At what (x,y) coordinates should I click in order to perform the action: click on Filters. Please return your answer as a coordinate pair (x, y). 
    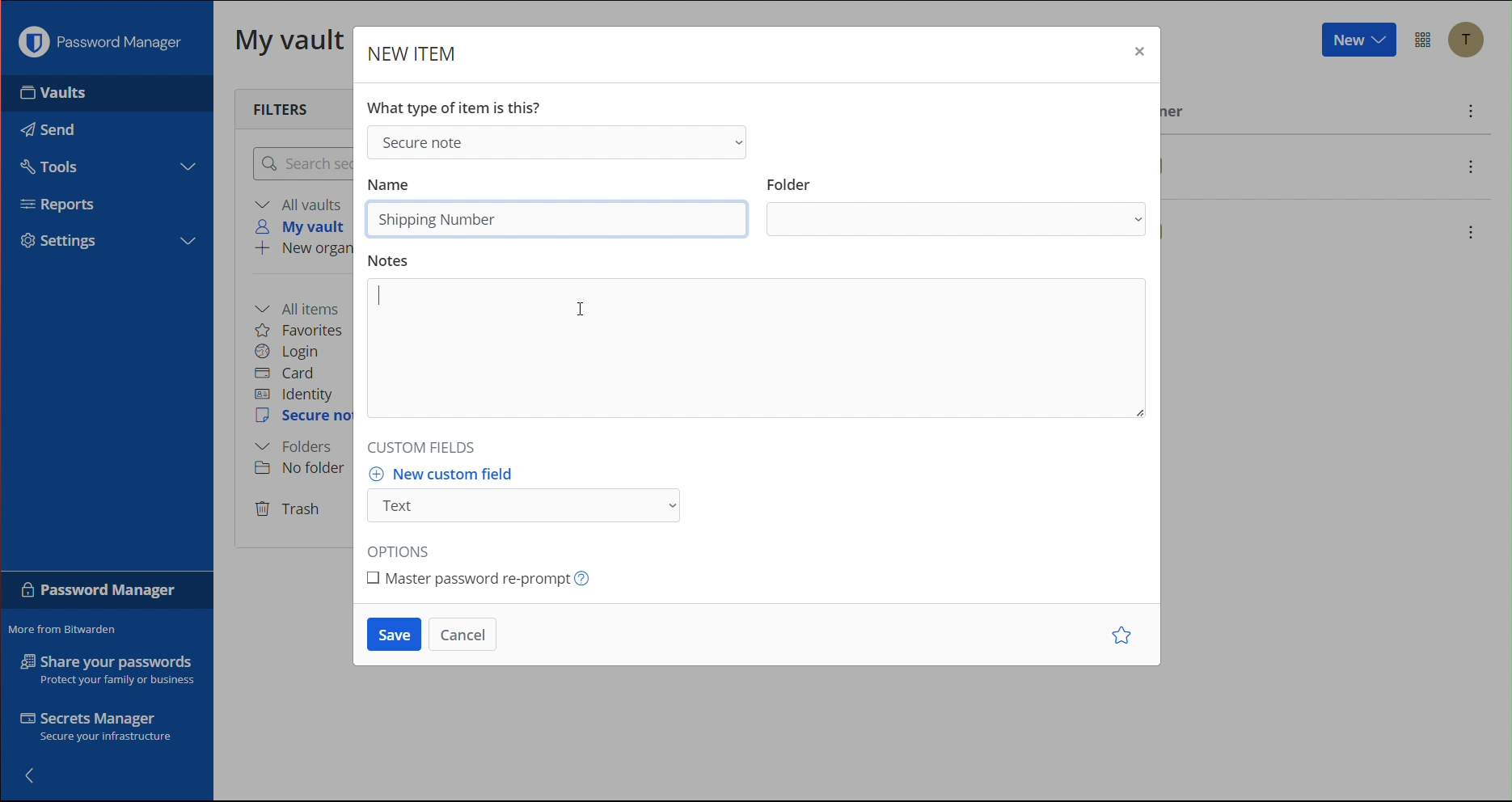
    Looking at the image, I should click on (278, 108).